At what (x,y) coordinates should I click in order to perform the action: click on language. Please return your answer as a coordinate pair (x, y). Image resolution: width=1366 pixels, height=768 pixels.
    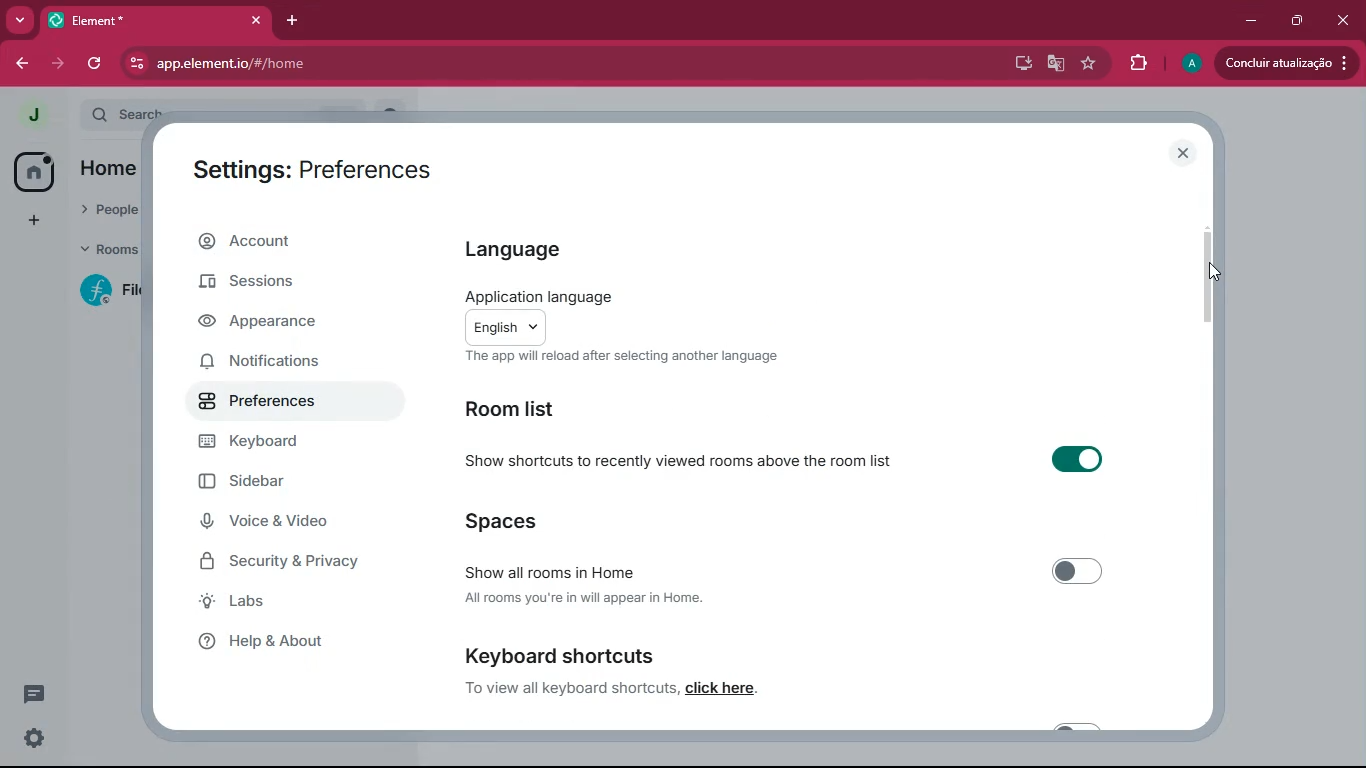
    Looking at the image, I should click on (513, 249).